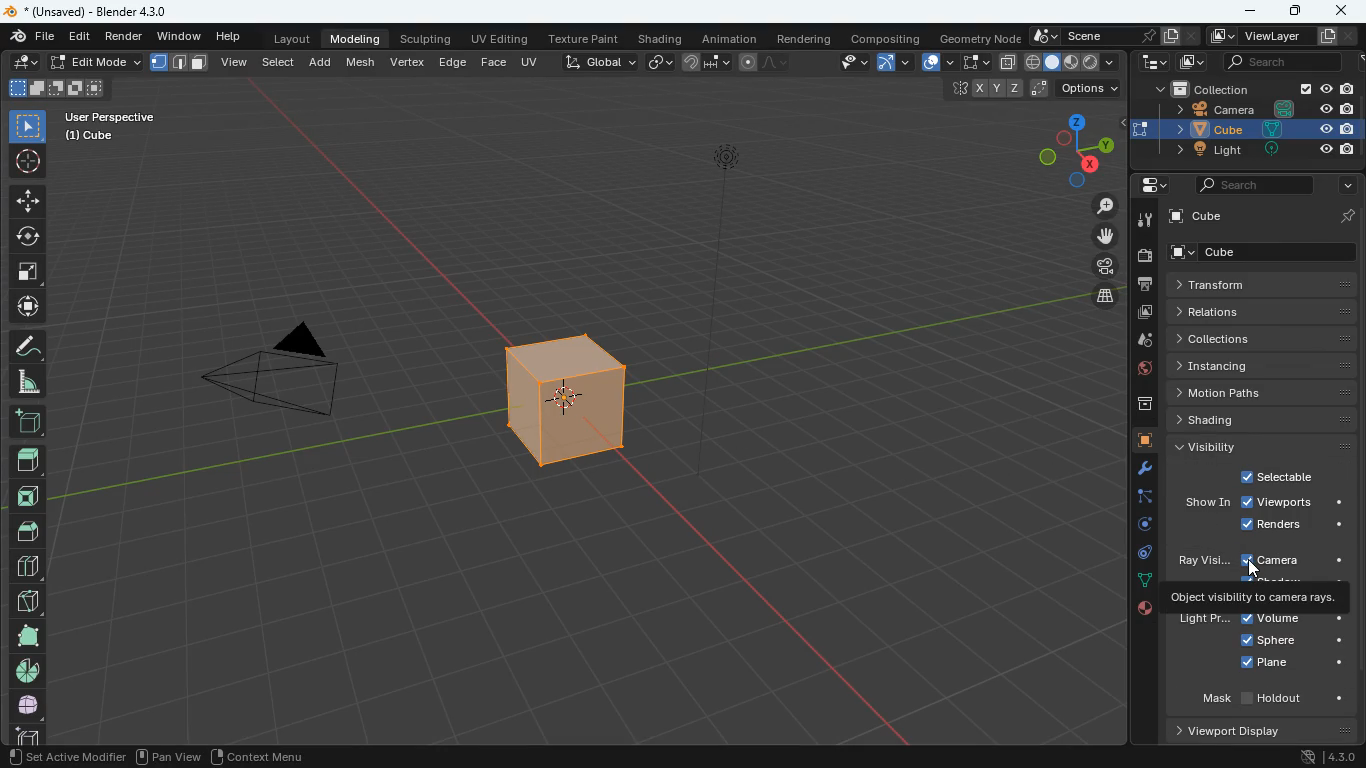  What do you see at coordinates (733, 38) in the screenshot?
I see `animation` at bounding box center [733, 38].